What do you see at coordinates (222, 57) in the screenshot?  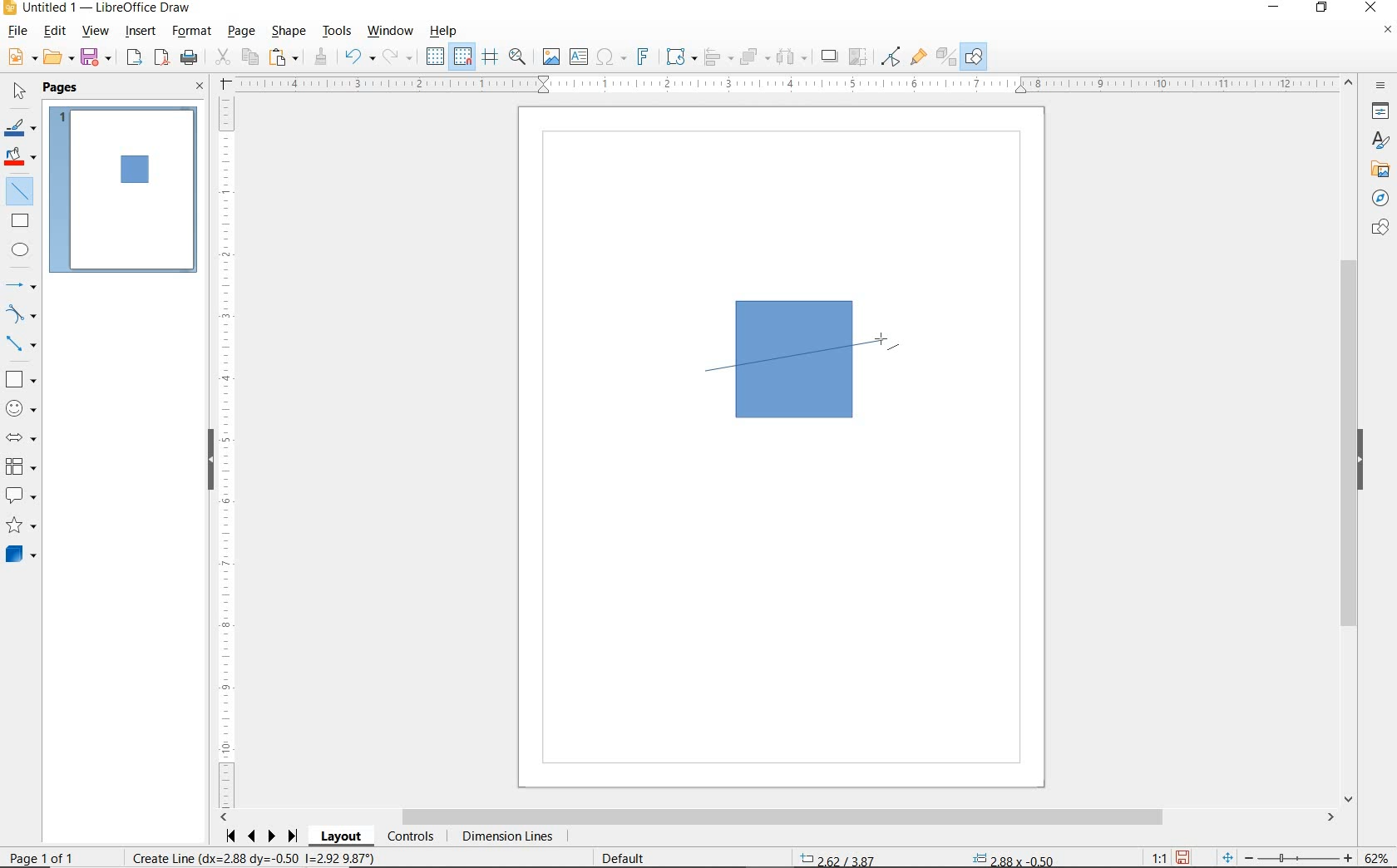 I see `CUT` at bounding box center [222, 57].